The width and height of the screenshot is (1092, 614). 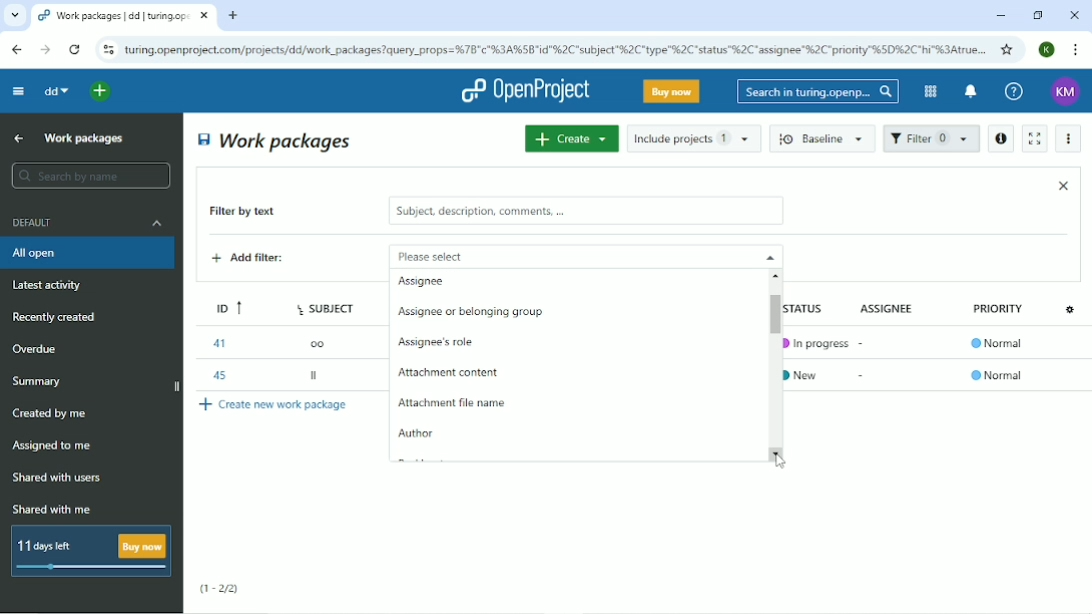 I want to click on To notification center, so click(x=969, y=93).